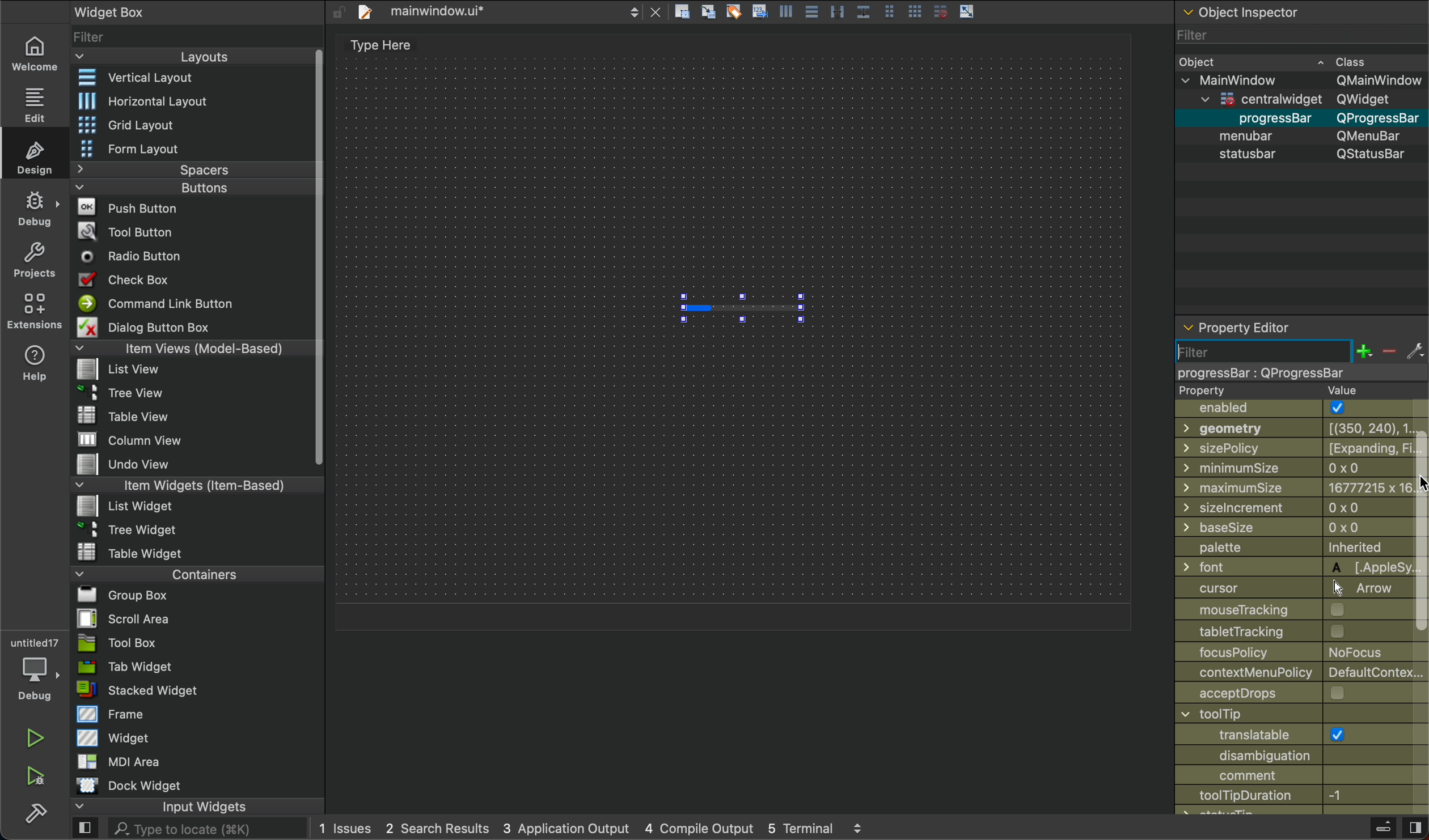 This screenshot has height=840, width=1429. I want to click on Comment , so click(1301, 777).